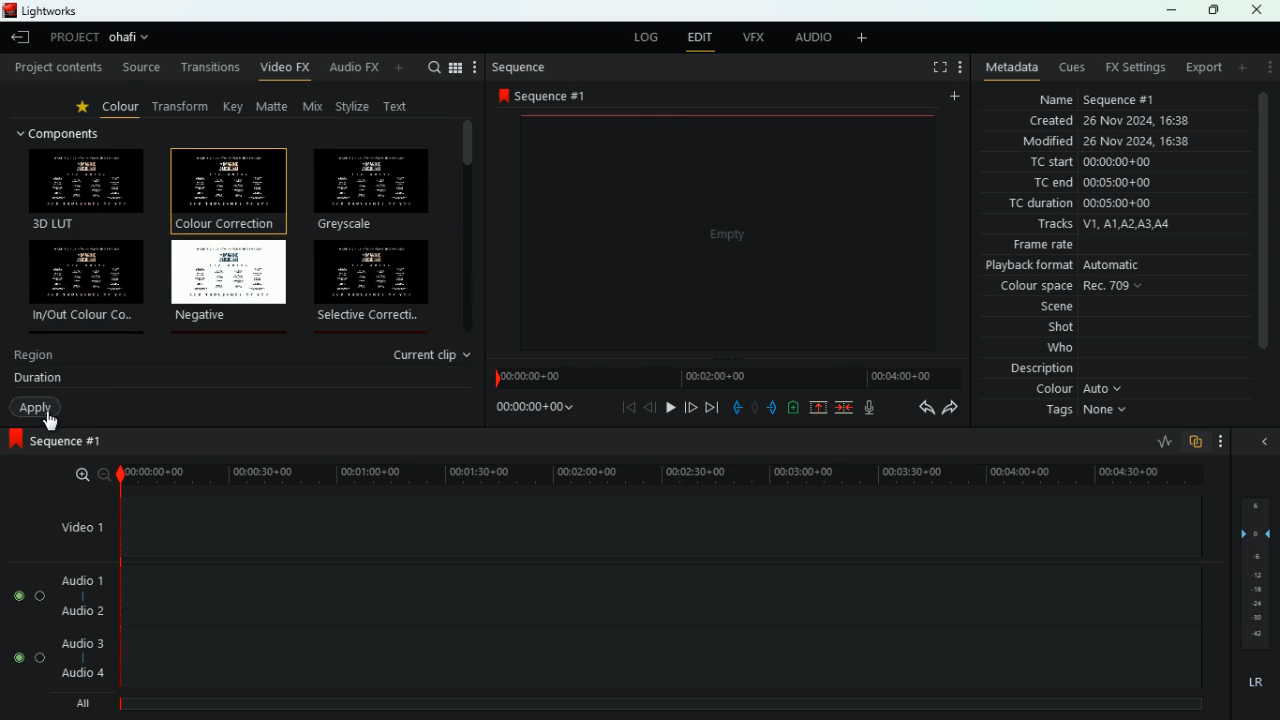 The width and height of the screenshot is (1280, 720). What do you see at coordinates (209, 67) in the screenshot?
I see `transitions` at bounding box center [209, 67].